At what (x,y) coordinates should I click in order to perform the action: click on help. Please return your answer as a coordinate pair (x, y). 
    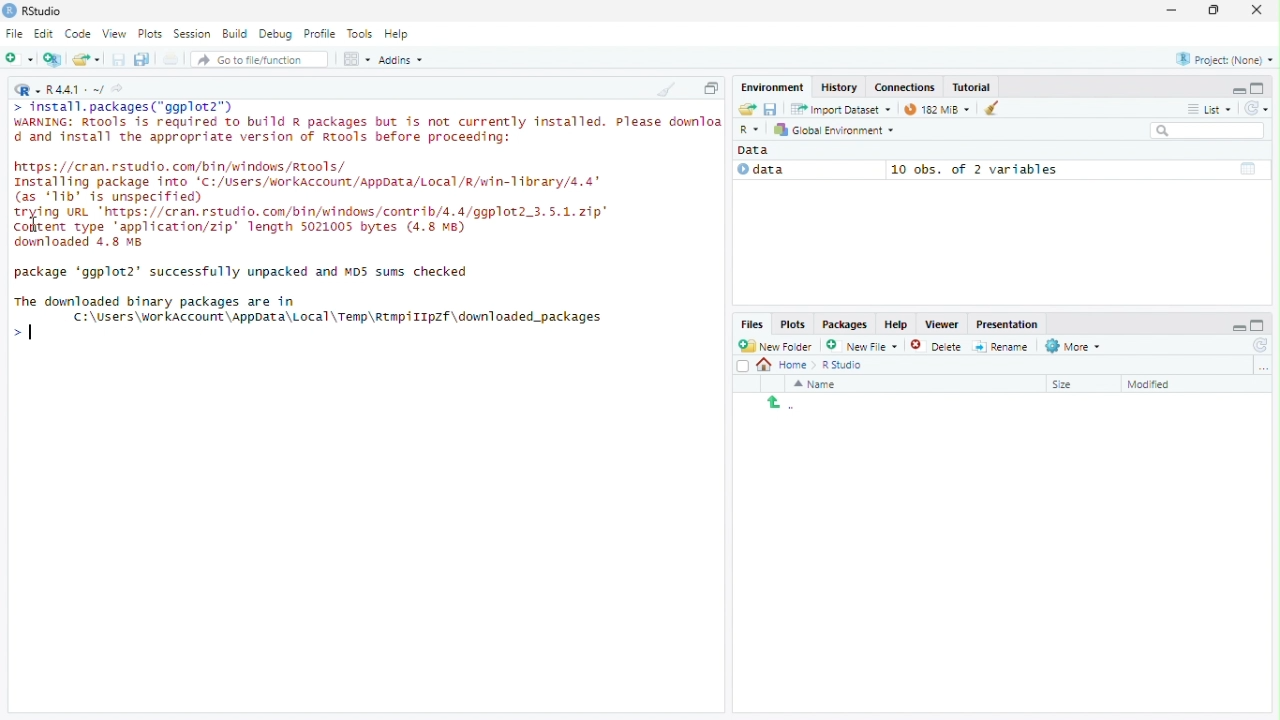
    Looking at the image, I should click on (894, 323).